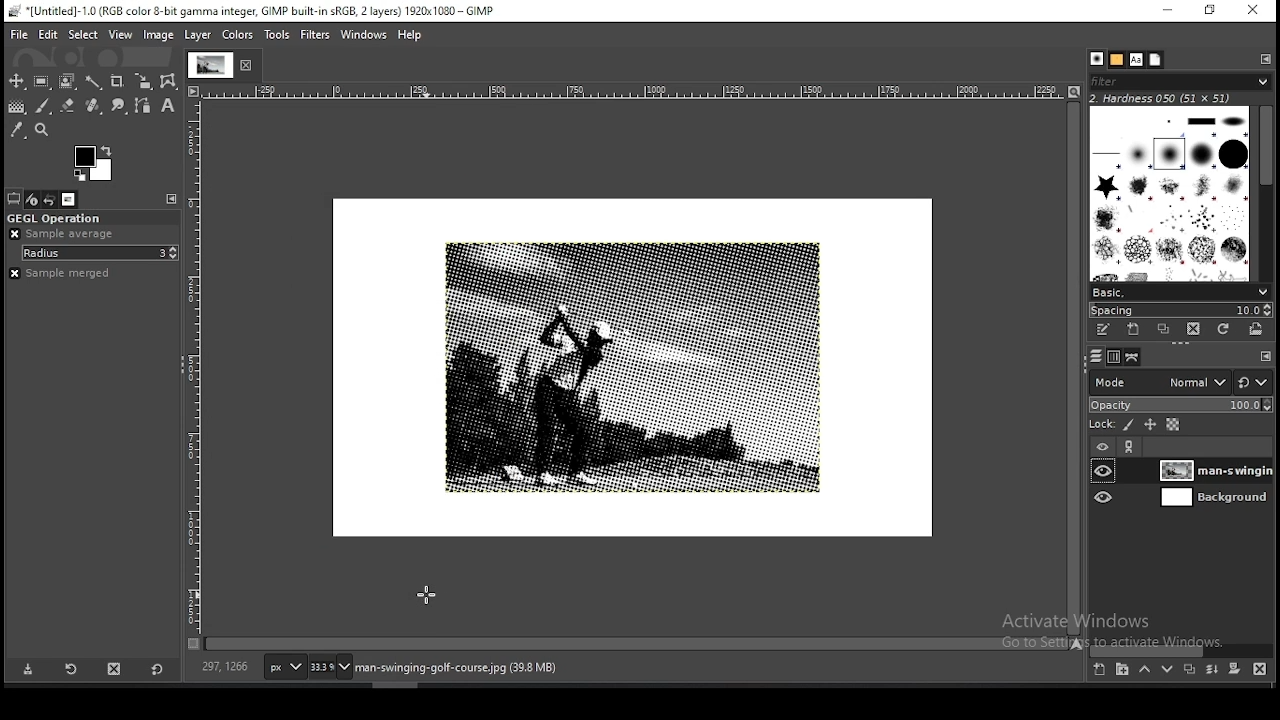 The height and width of the screenshot is (720, 1280). What do you see at coordinates (43, 106) in the screenshot?
I see `paintbrush tool` at bounding box center [43, 106].